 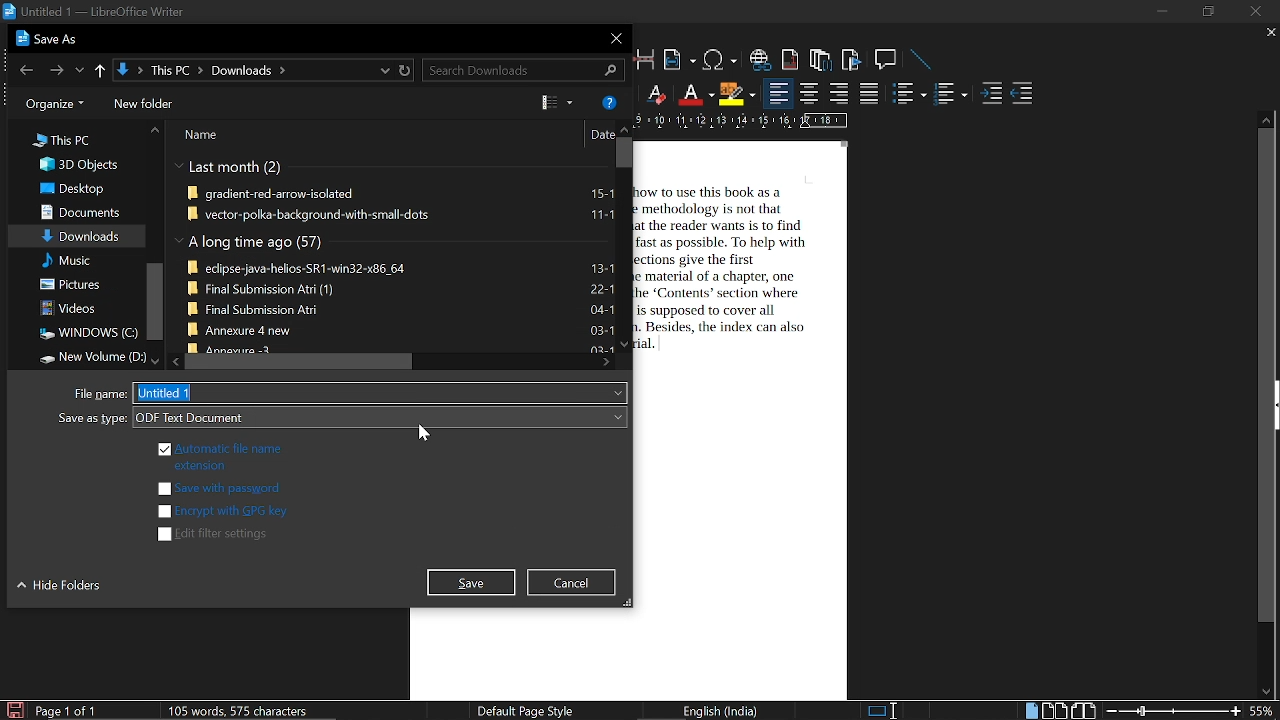 I want to click on save file type, so click(x=89, y=420).